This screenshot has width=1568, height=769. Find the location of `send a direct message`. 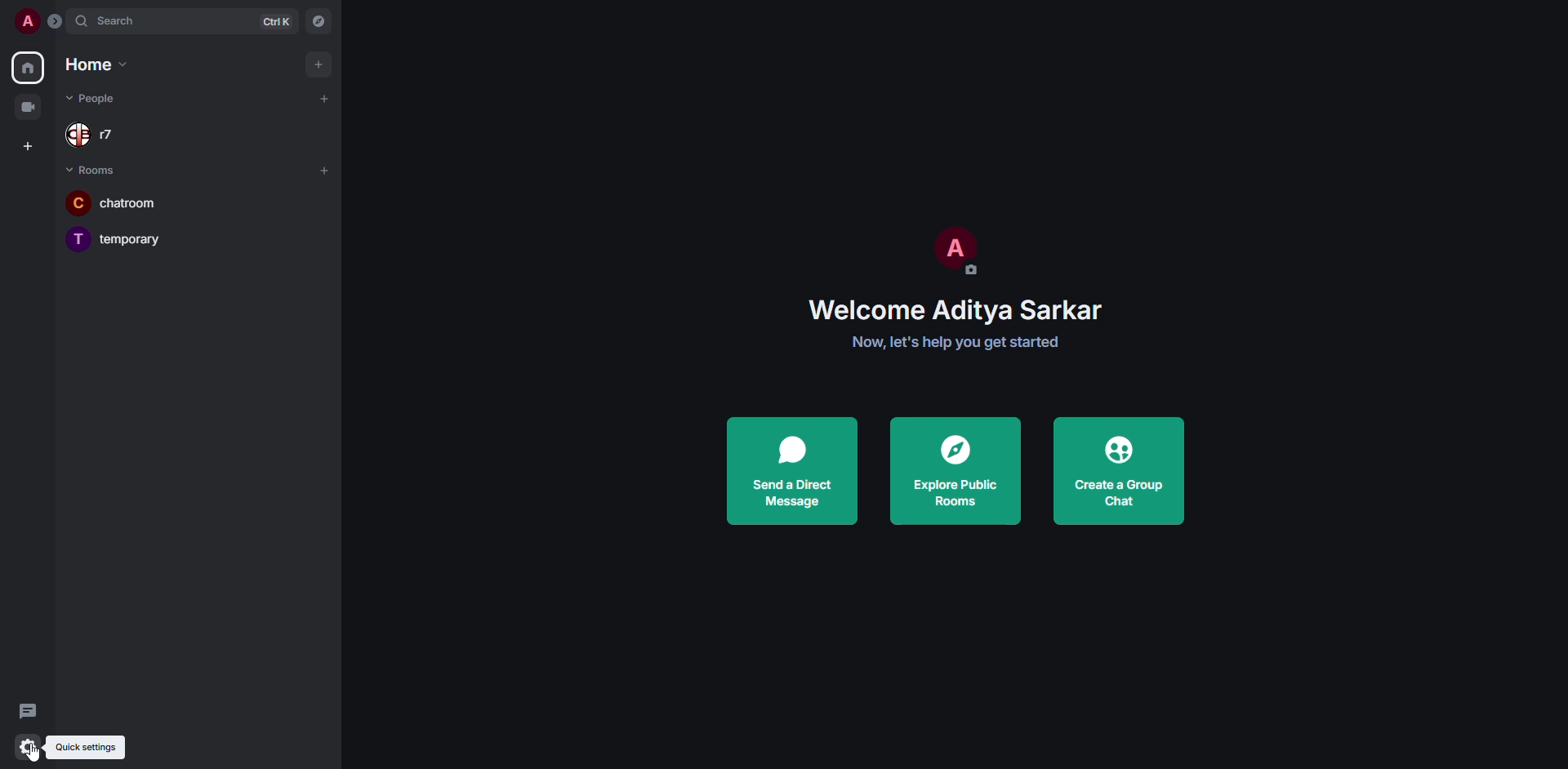

send a direct message is located at coordinates (791, 469).